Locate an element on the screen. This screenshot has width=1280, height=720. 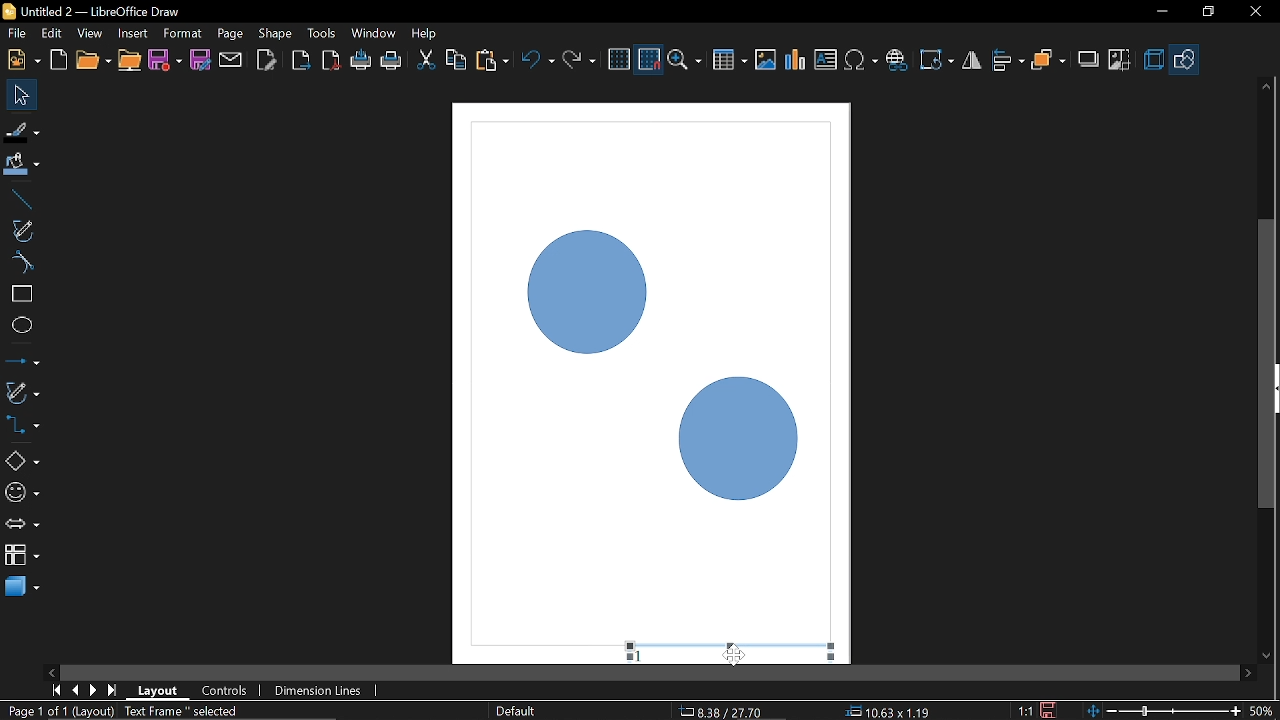
View is located at coordinates (92, 34).